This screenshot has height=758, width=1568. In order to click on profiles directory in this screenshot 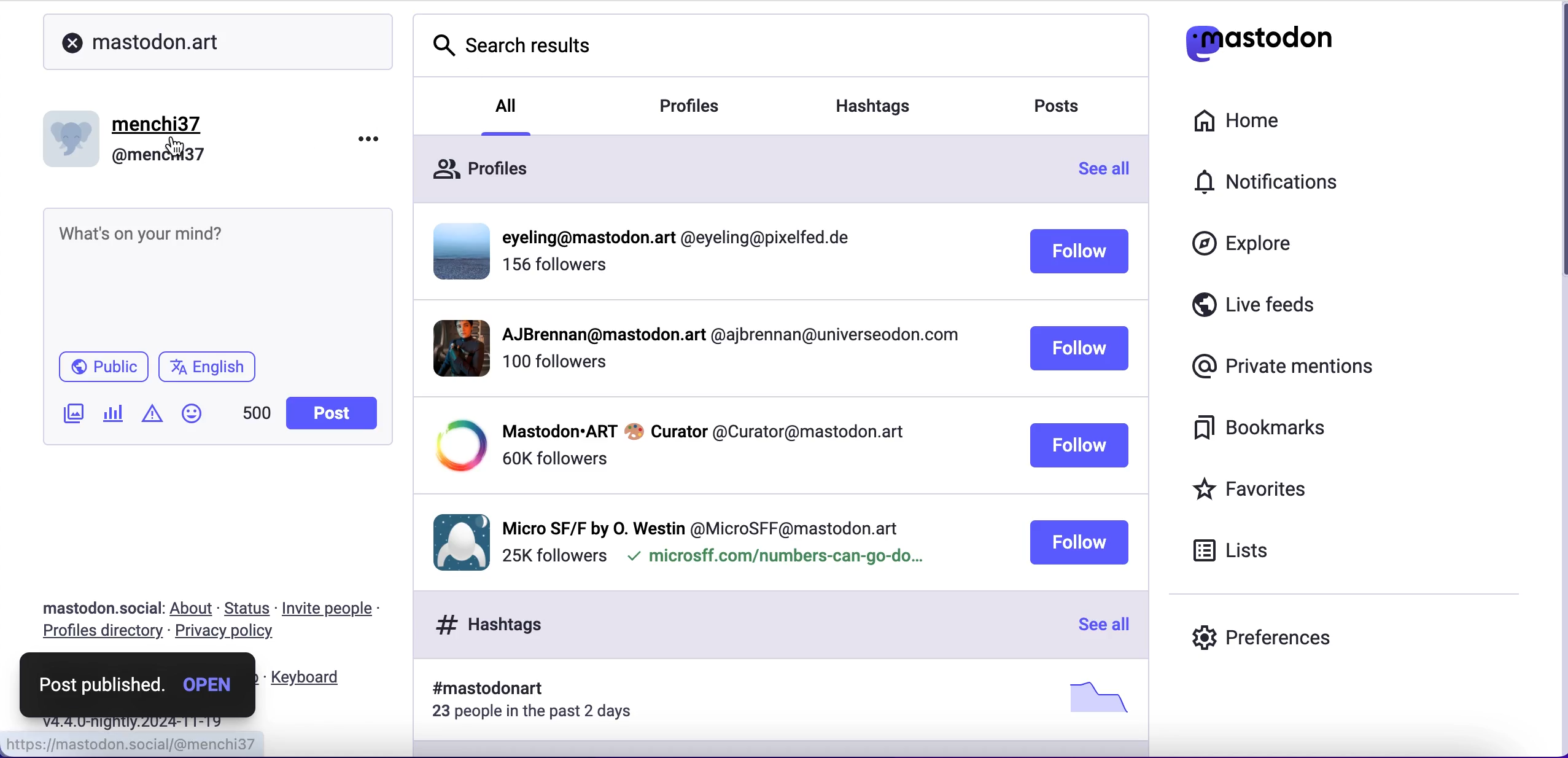, I will do `click(98, 633)`.